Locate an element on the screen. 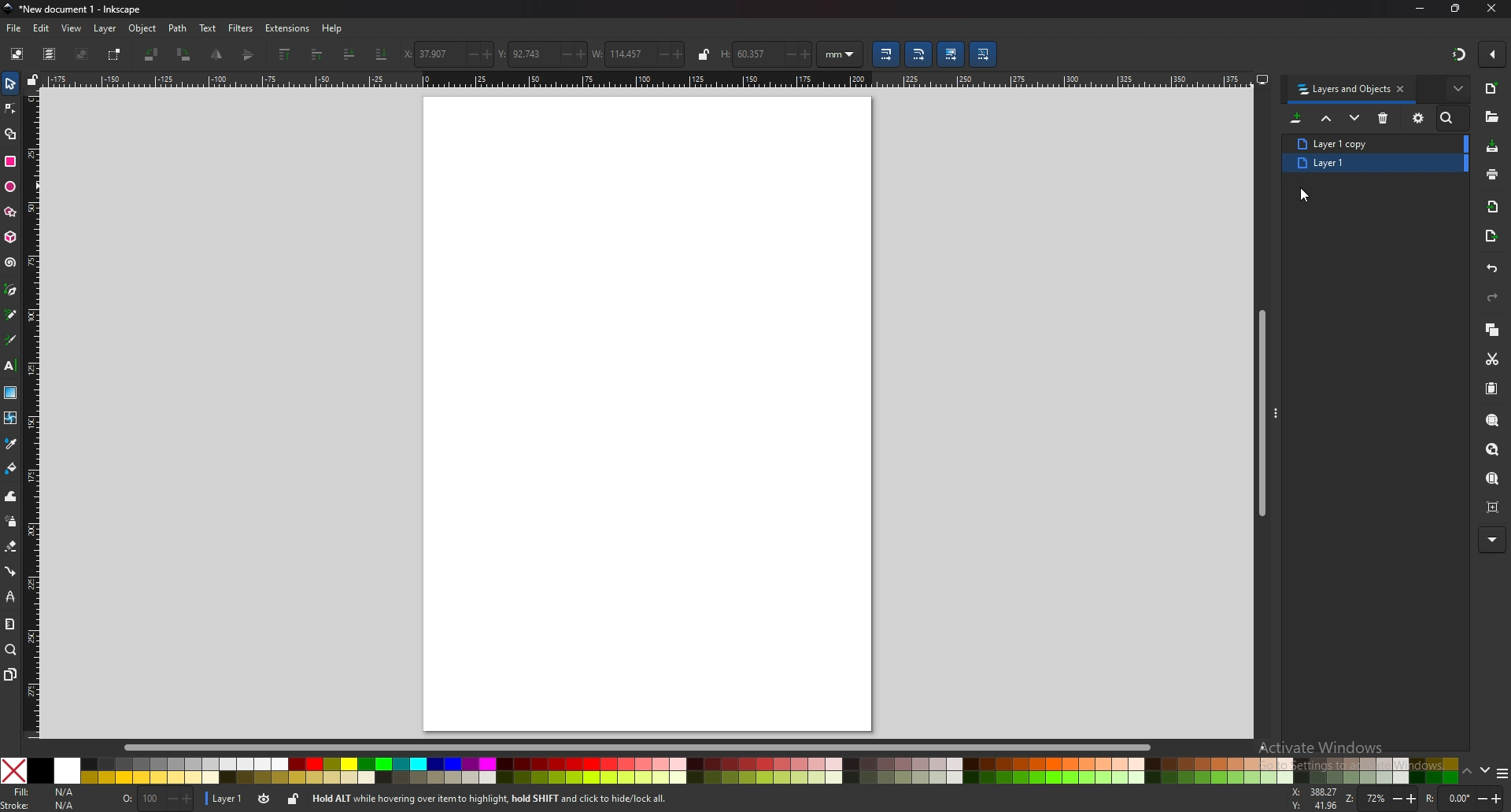 The width and height of the screenshot is (1511, 812). up is located at coordinates (1467, 772).